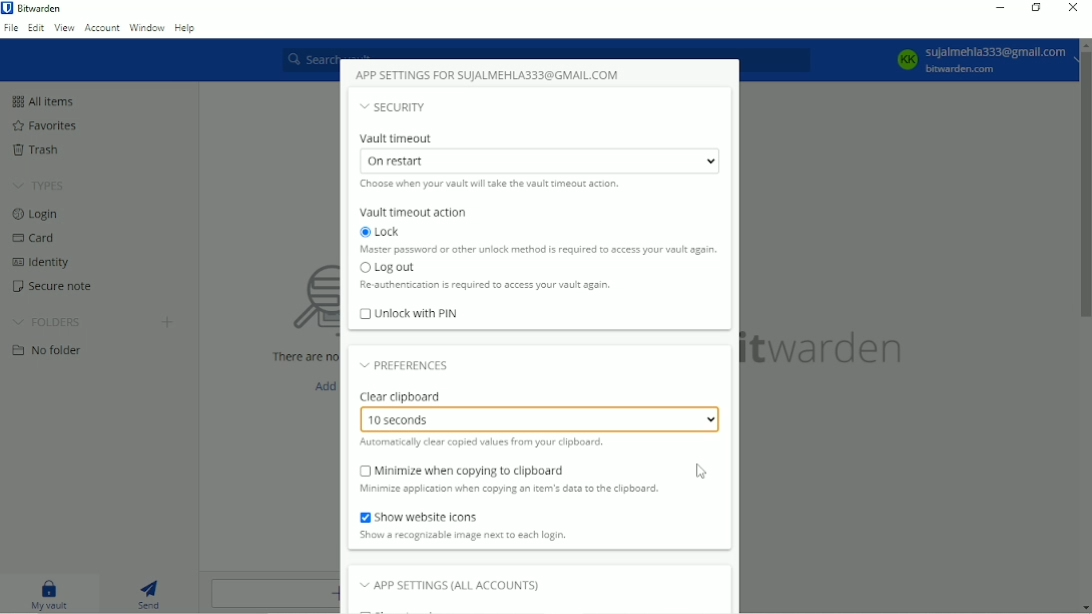 The image size is (1092, 614). Describe the element at coordinates (53, 322) in the screenshot. I see `FOLDERS` at that location.